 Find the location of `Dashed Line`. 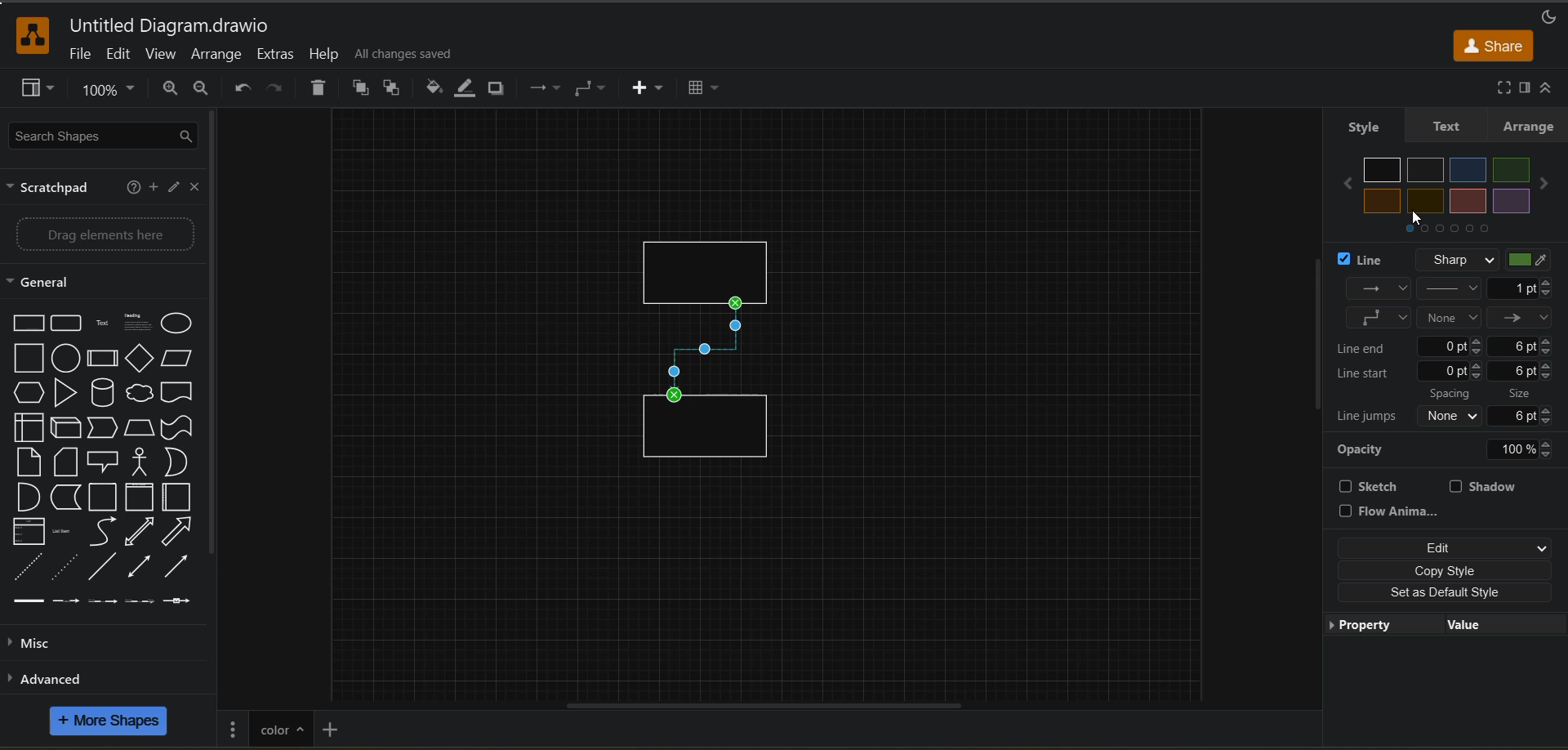

Dashed Line is located at coordinates (24, 567).